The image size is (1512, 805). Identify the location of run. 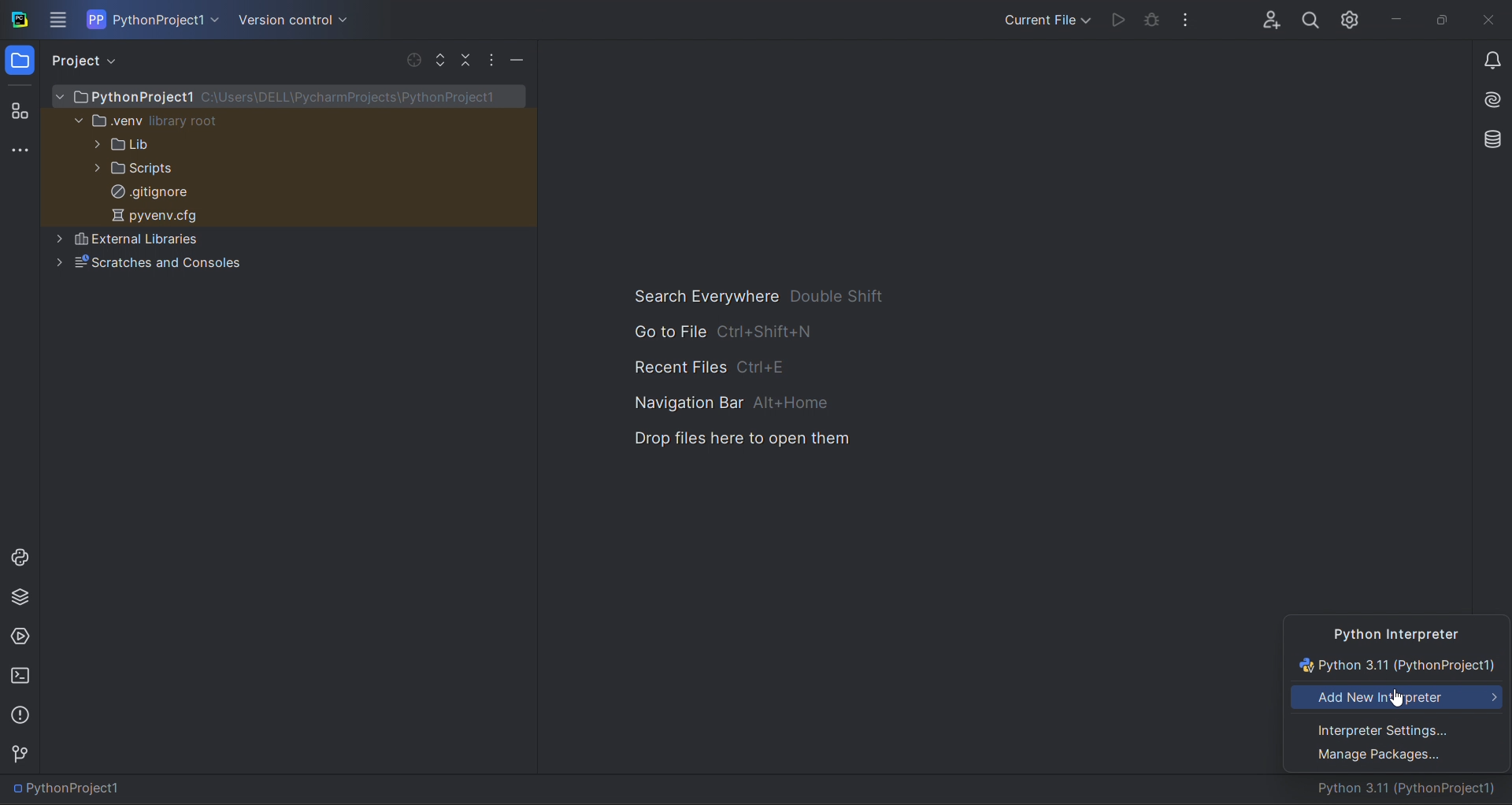
(1115, 20).